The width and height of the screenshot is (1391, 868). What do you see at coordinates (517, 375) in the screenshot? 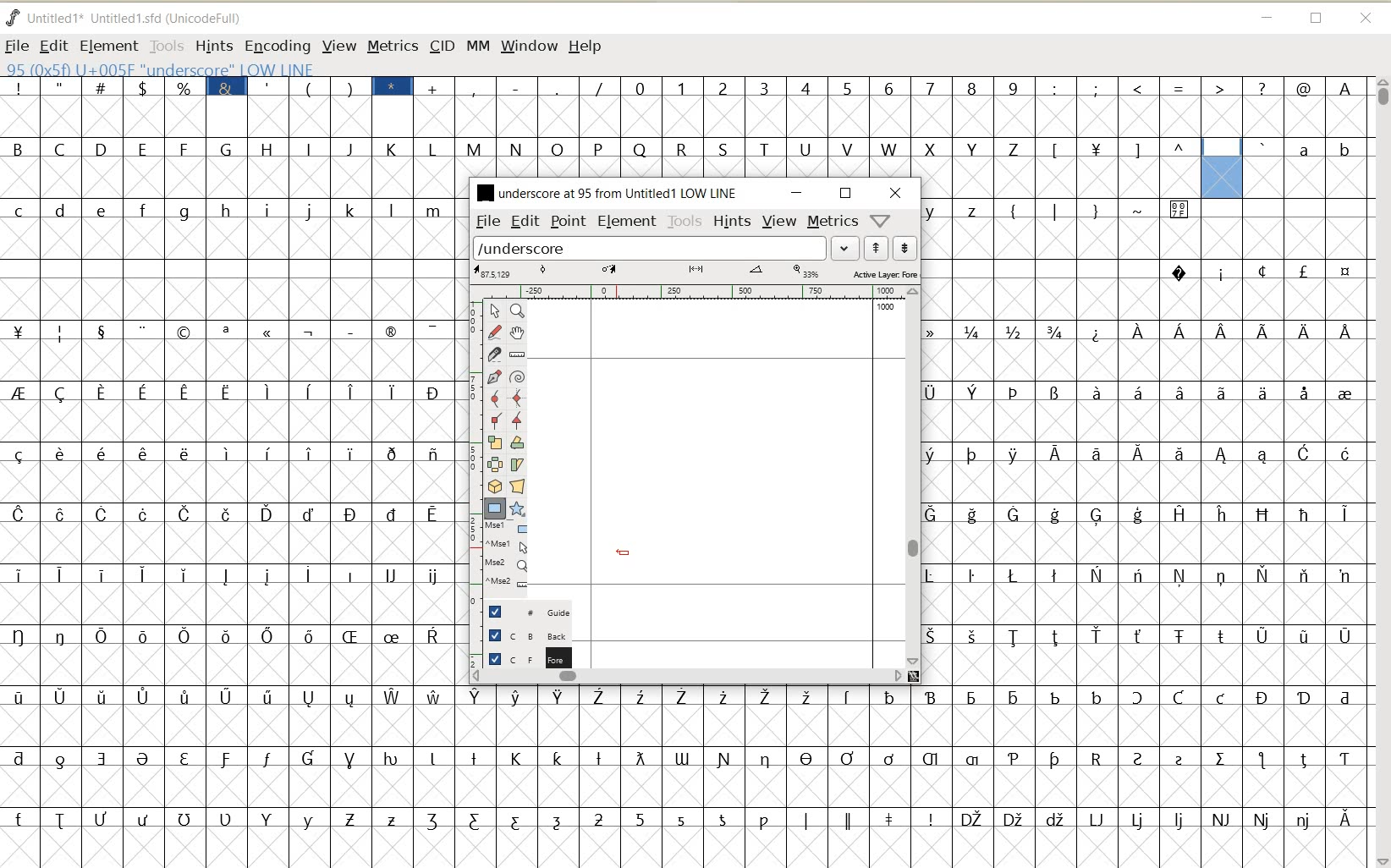
I see `change whether spiro is active or not` at bounding box center [517, 375].